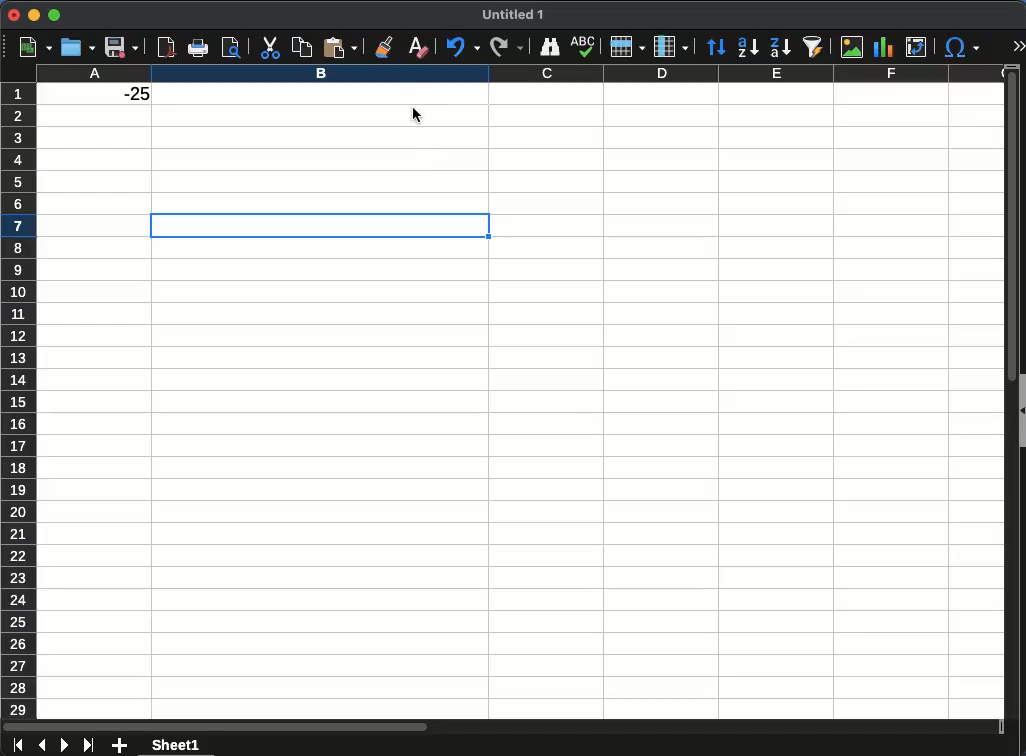 The image size is (1026, 756). Describe the element at coordinates (168, 47) in the screenshot. I see `pdf reader` at that location.